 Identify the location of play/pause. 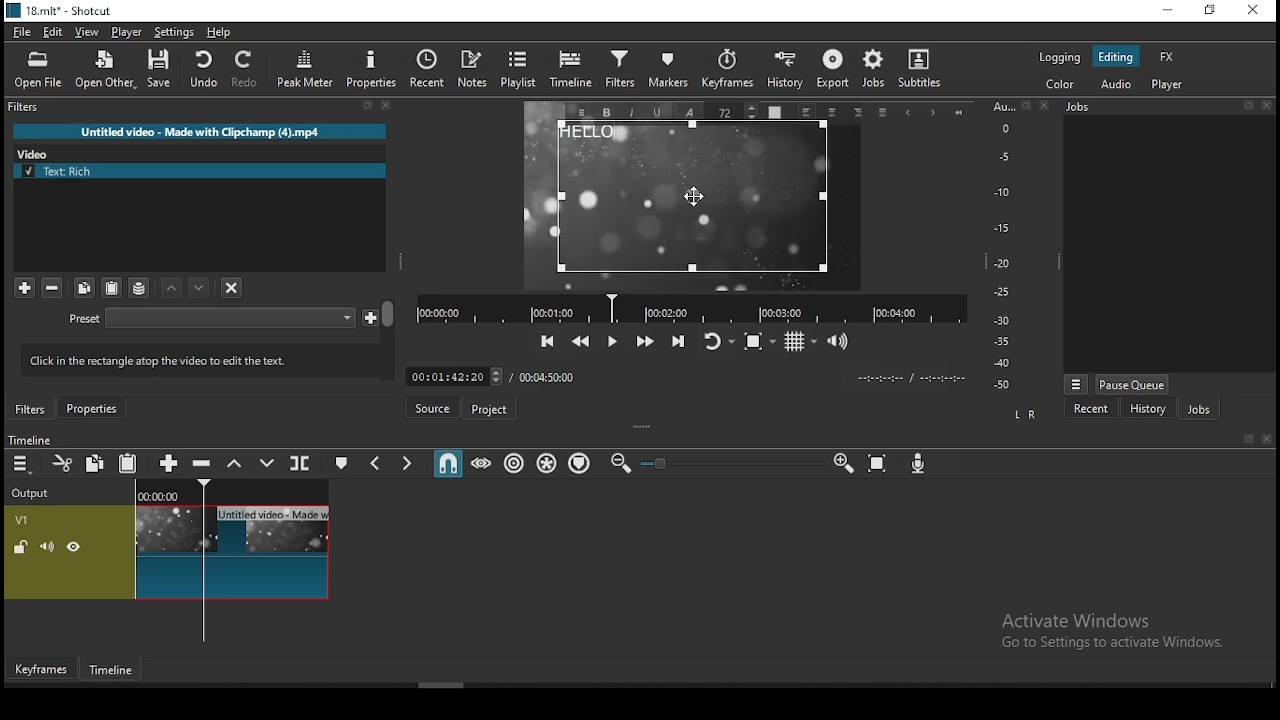
(614, 342).